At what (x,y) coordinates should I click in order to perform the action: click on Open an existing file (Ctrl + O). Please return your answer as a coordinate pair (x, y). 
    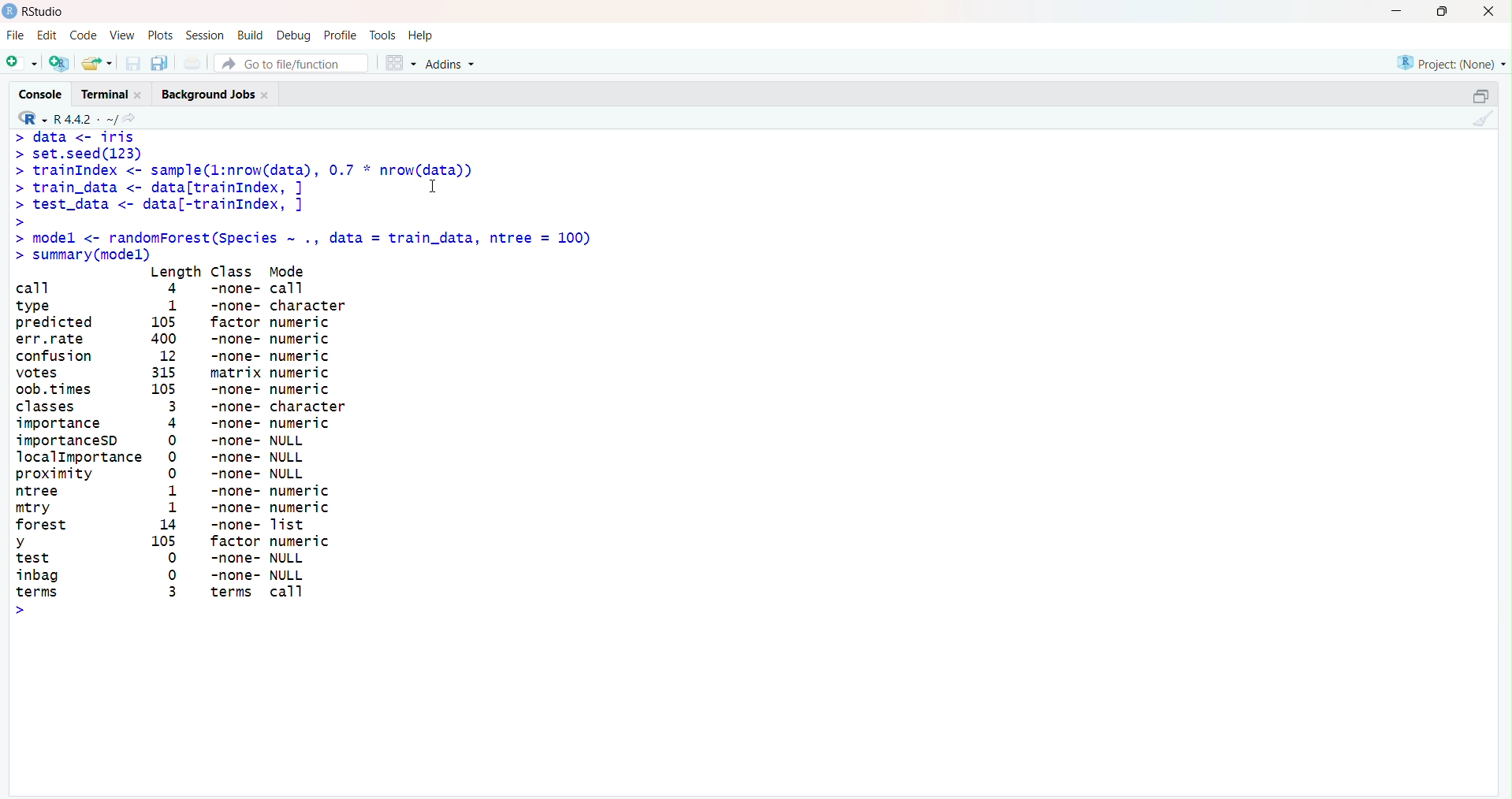
    Looking at the image, I should click on (99, 63).